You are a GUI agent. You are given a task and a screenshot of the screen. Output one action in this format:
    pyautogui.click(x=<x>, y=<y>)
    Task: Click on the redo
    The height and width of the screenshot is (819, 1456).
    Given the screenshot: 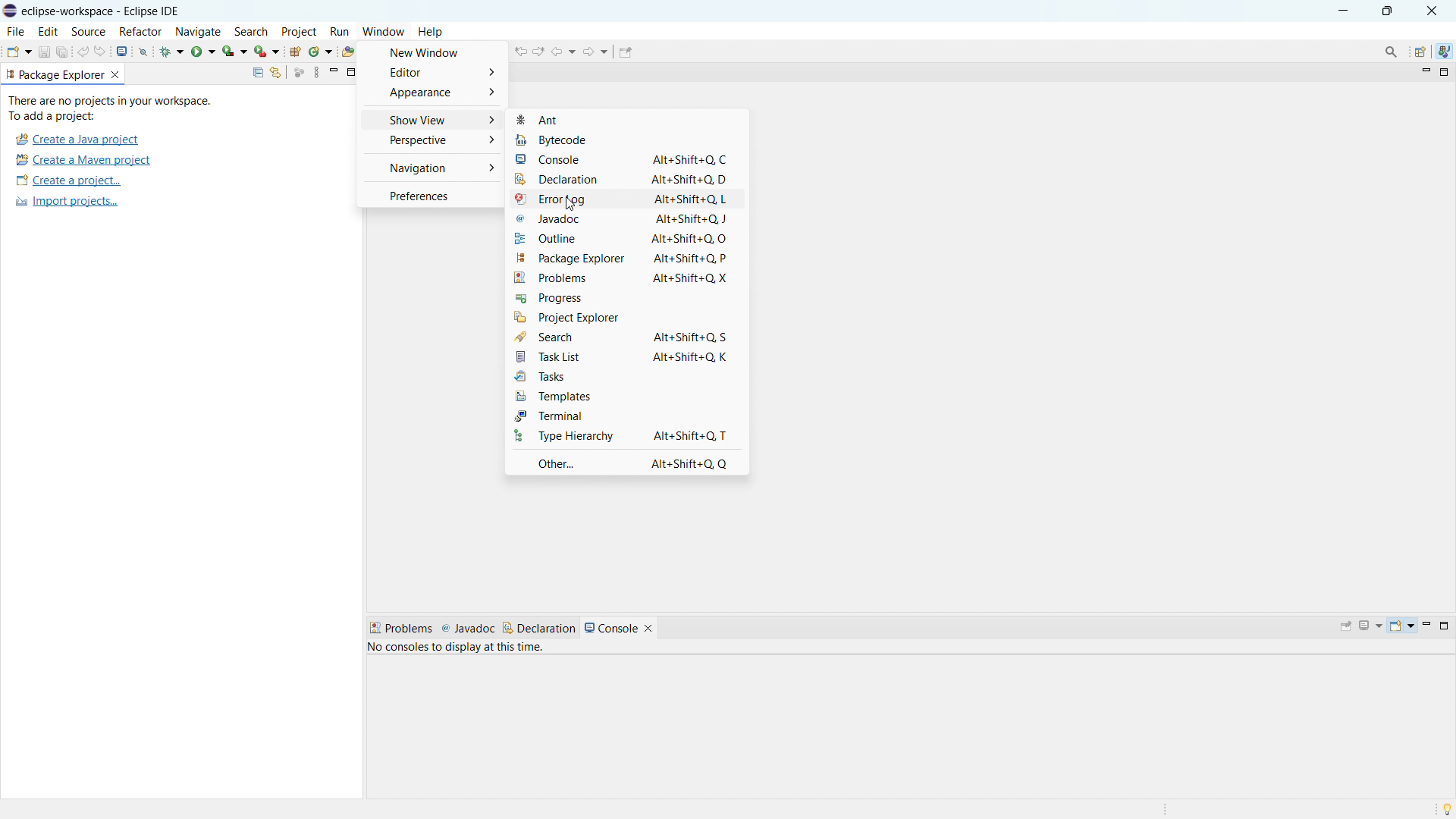 What is the action you would take?
    pyautogui.click(x=101, y=50)
    